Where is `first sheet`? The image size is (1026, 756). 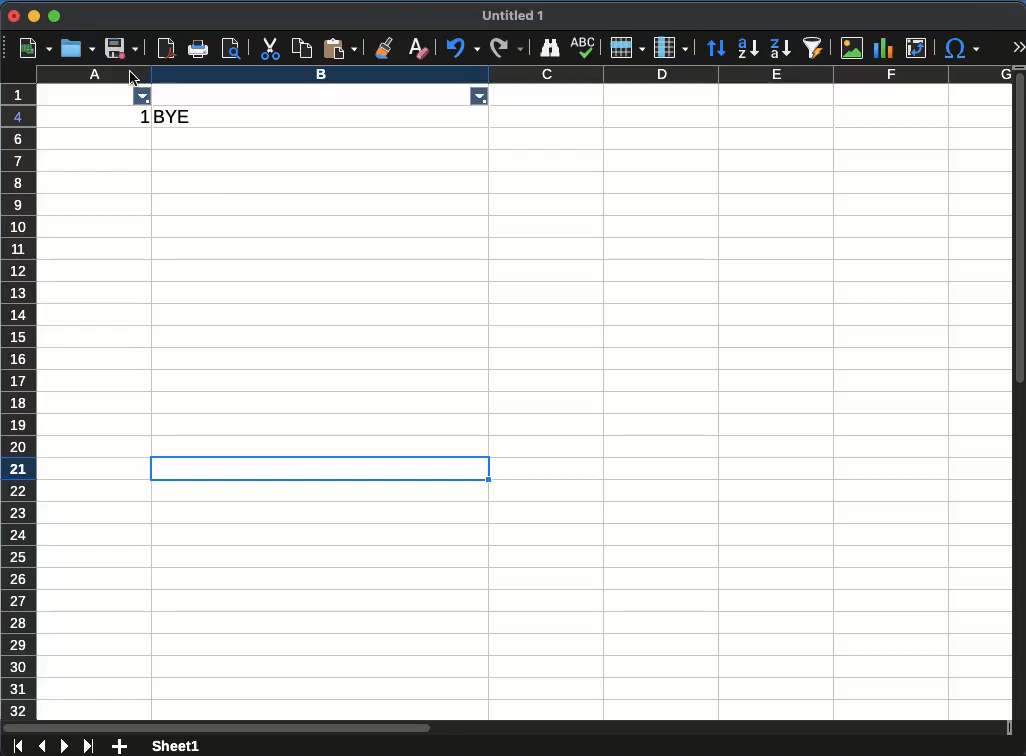 first sheet is located at coordinates (17, 745).